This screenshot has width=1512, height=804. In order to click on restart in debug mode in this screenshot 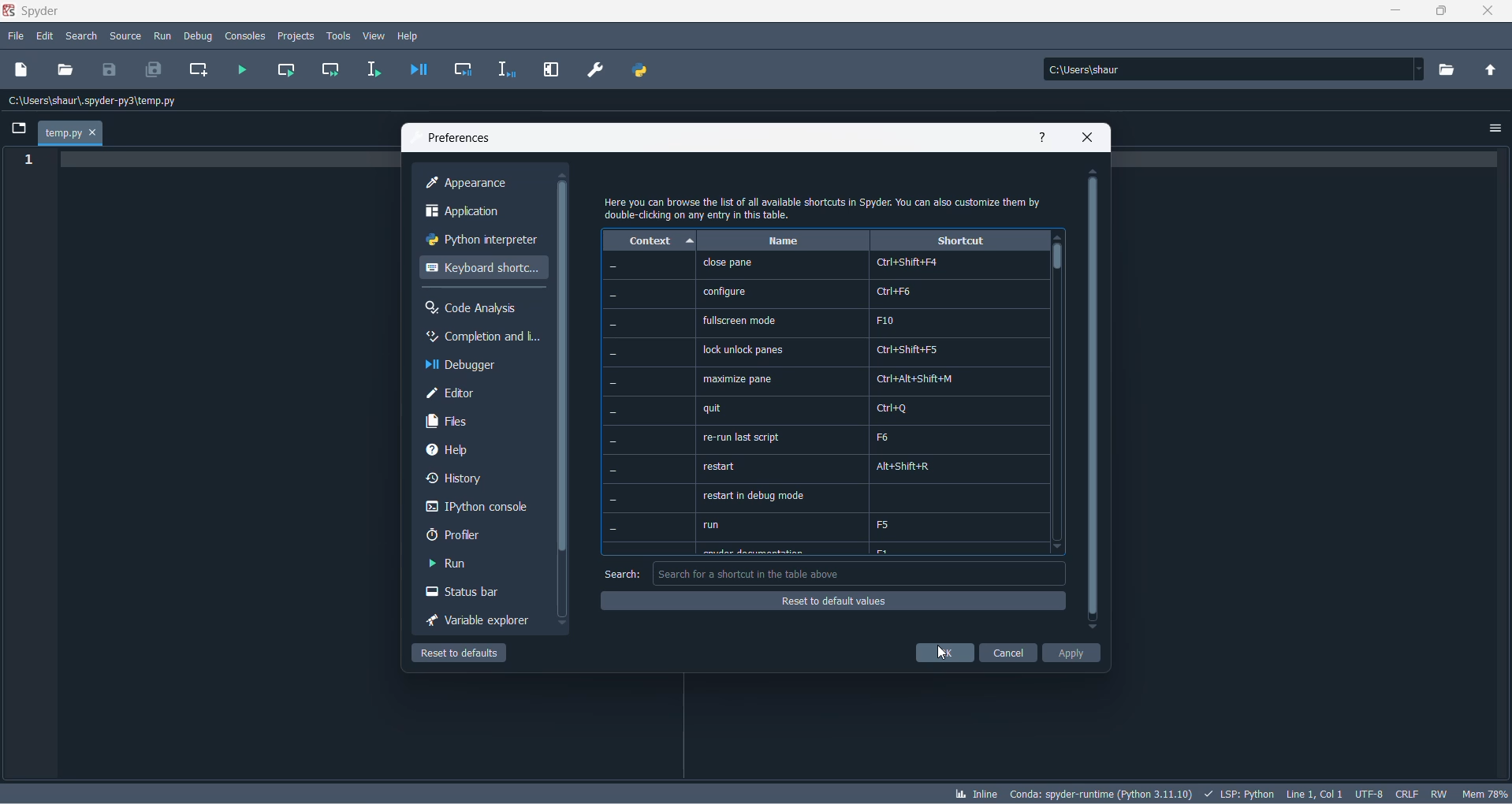, I will do `click(753, 497)`.